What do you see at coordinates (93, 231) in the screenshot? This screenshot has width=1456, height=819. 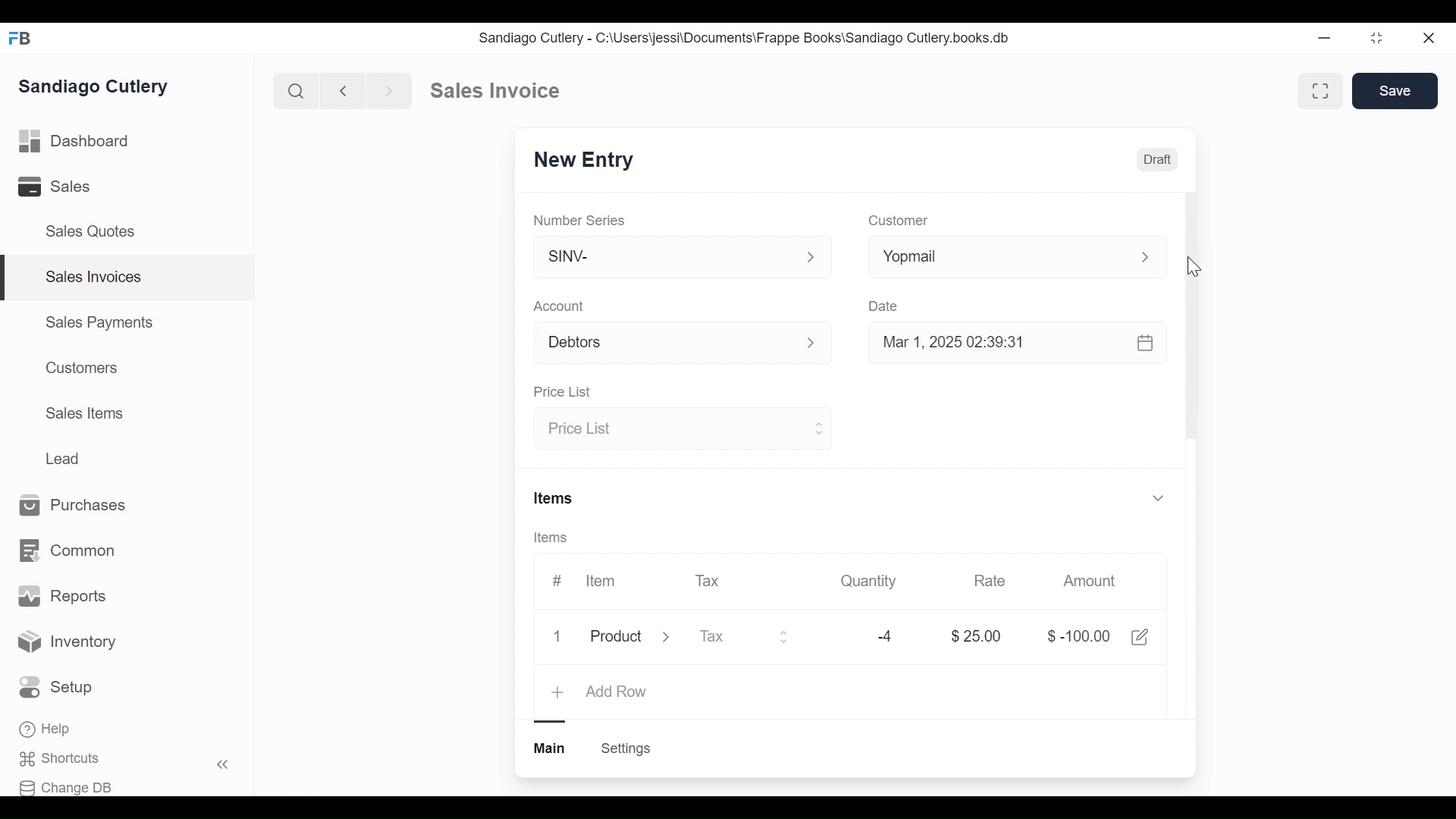 I see `Sales Quotes` at bounding box center [93, 231].